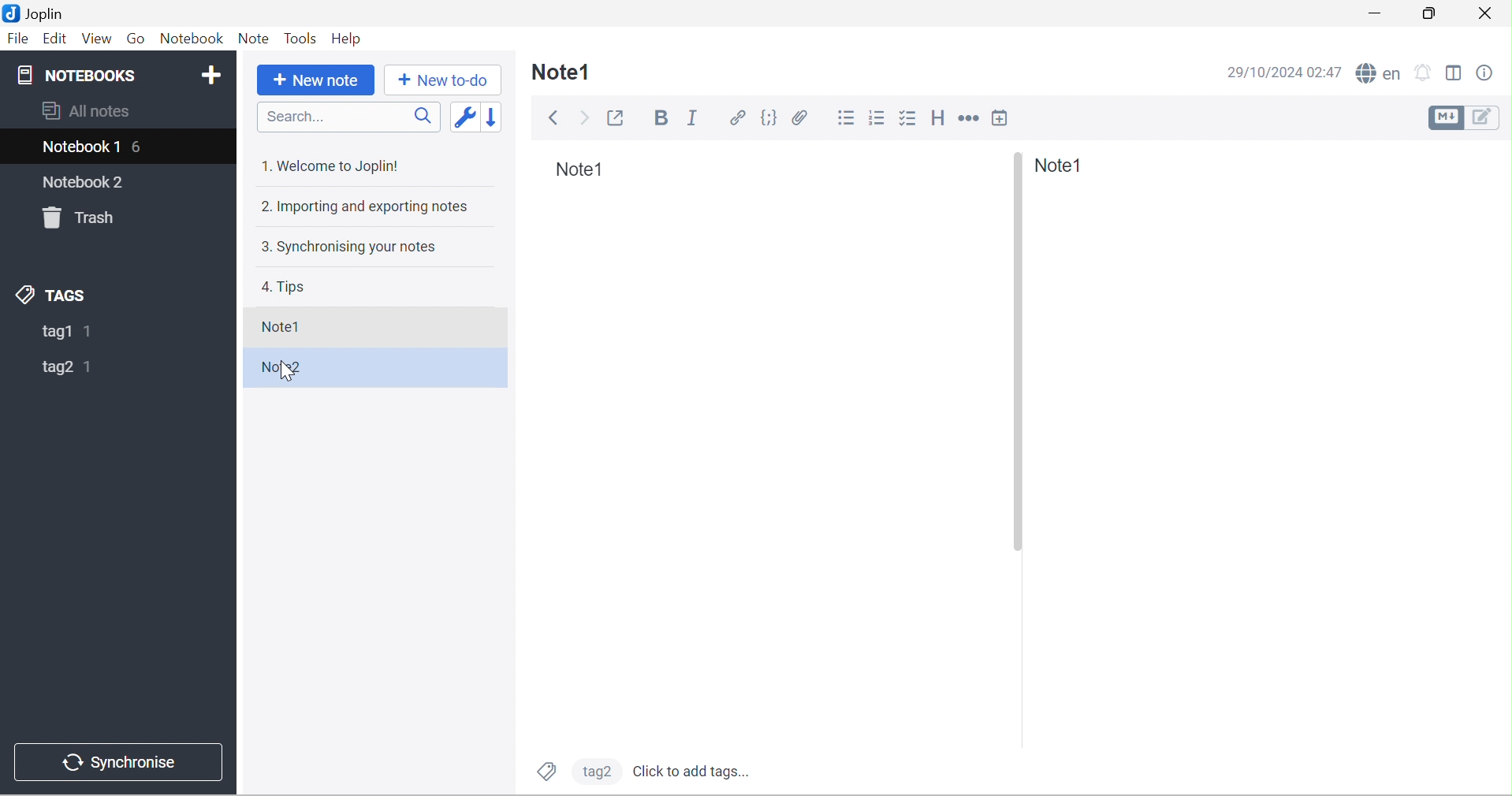 The height and width of the screenshot is (796, 1512). I want to click on Back, so click(553, 117).